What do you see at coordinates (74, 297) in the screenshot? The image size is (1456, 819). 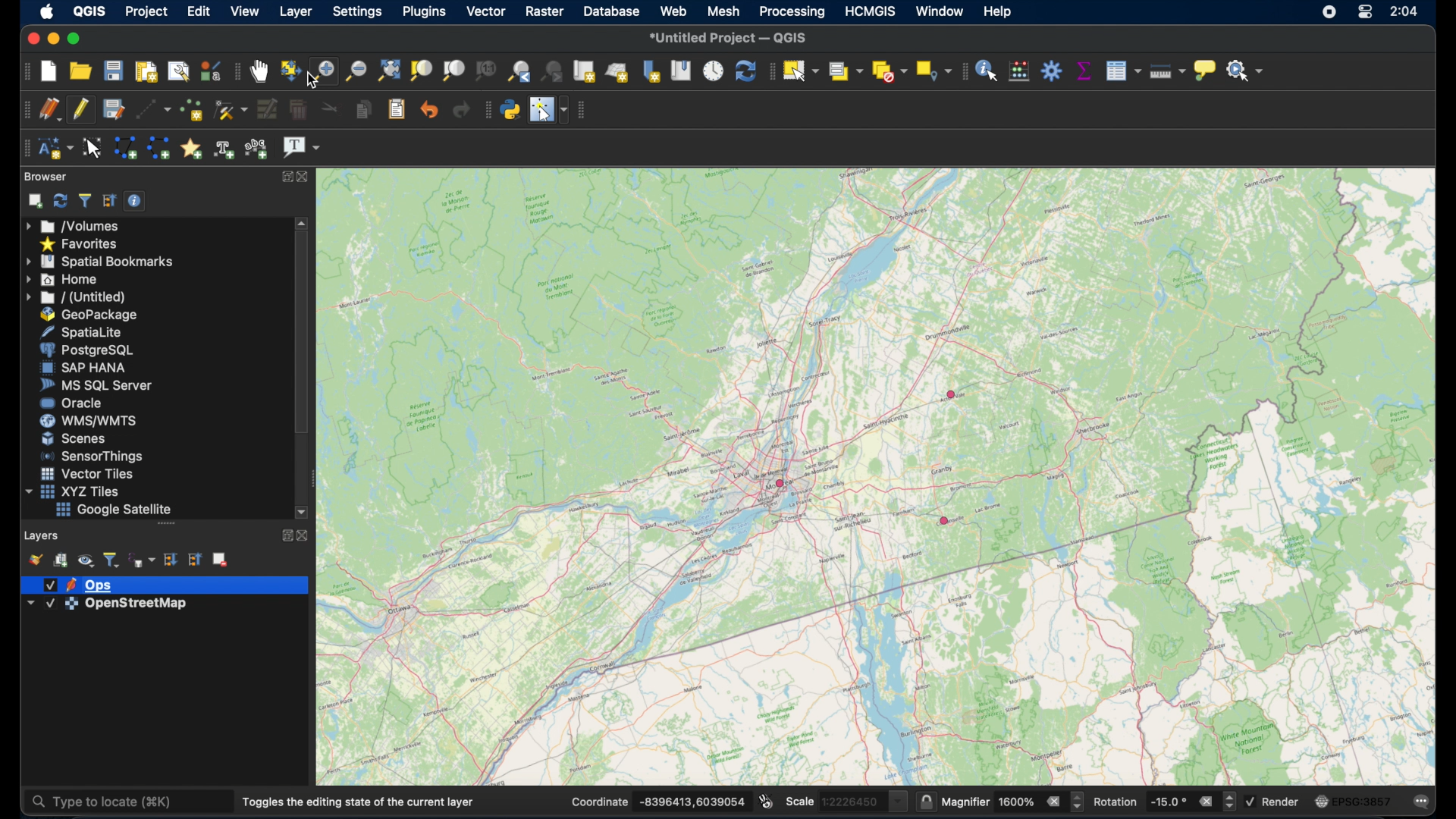 I see `untitled` at bounding box center [74, 297].